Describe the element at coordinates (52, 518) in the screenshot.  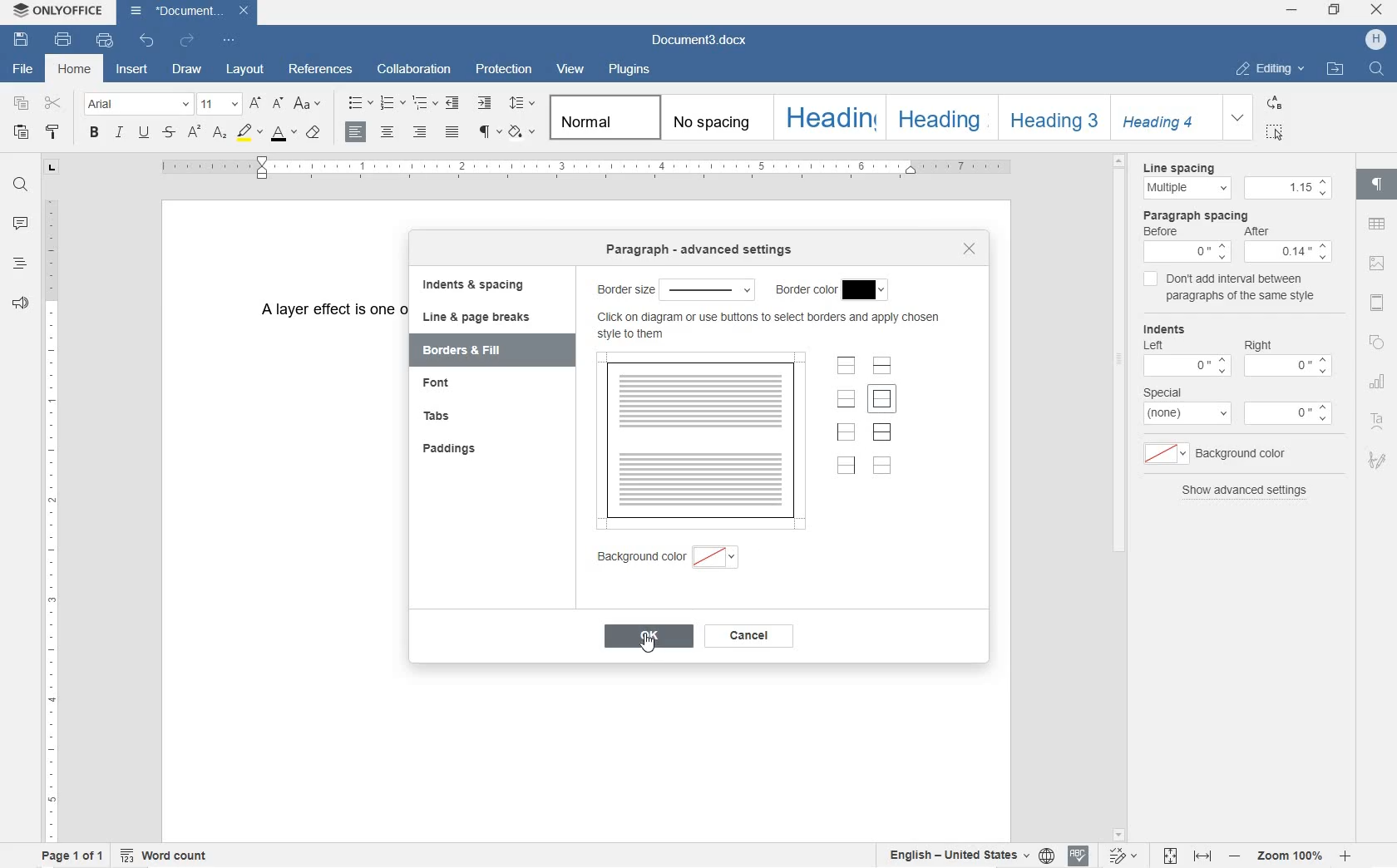
I see `RULER` at that location.